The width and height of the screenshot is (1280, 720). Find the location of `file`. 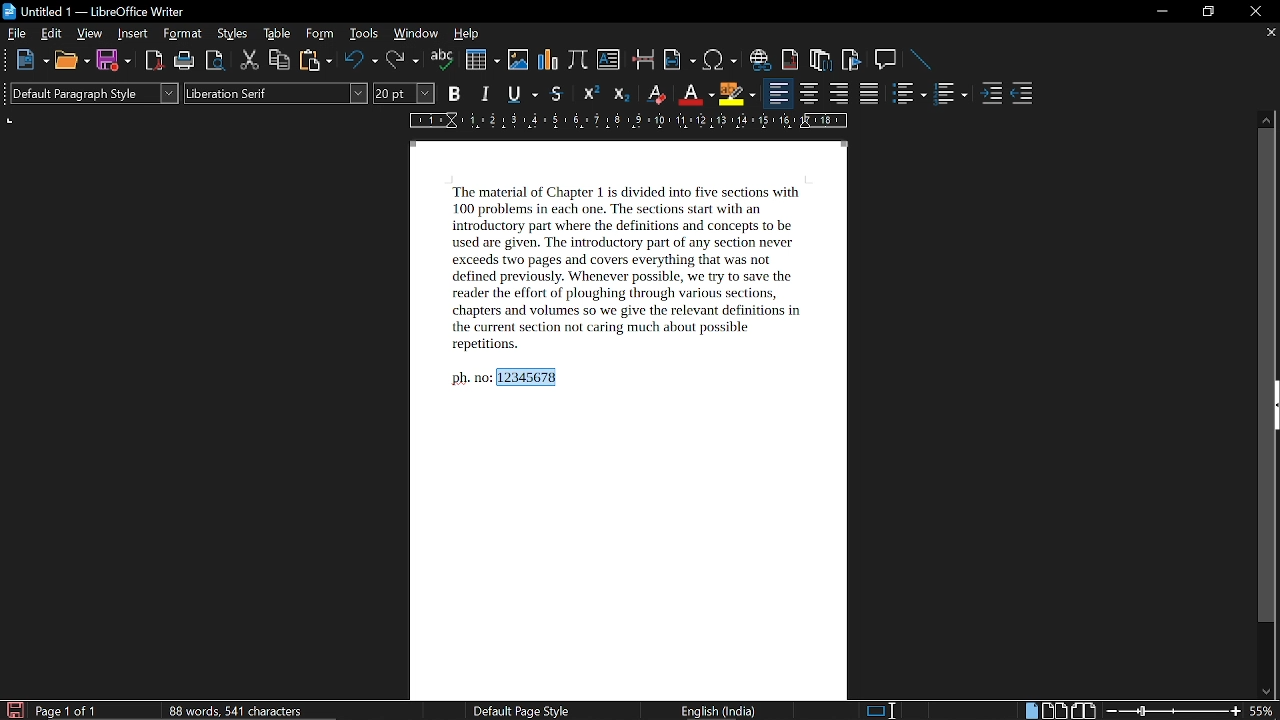

file is located at coordinates (18, 34).